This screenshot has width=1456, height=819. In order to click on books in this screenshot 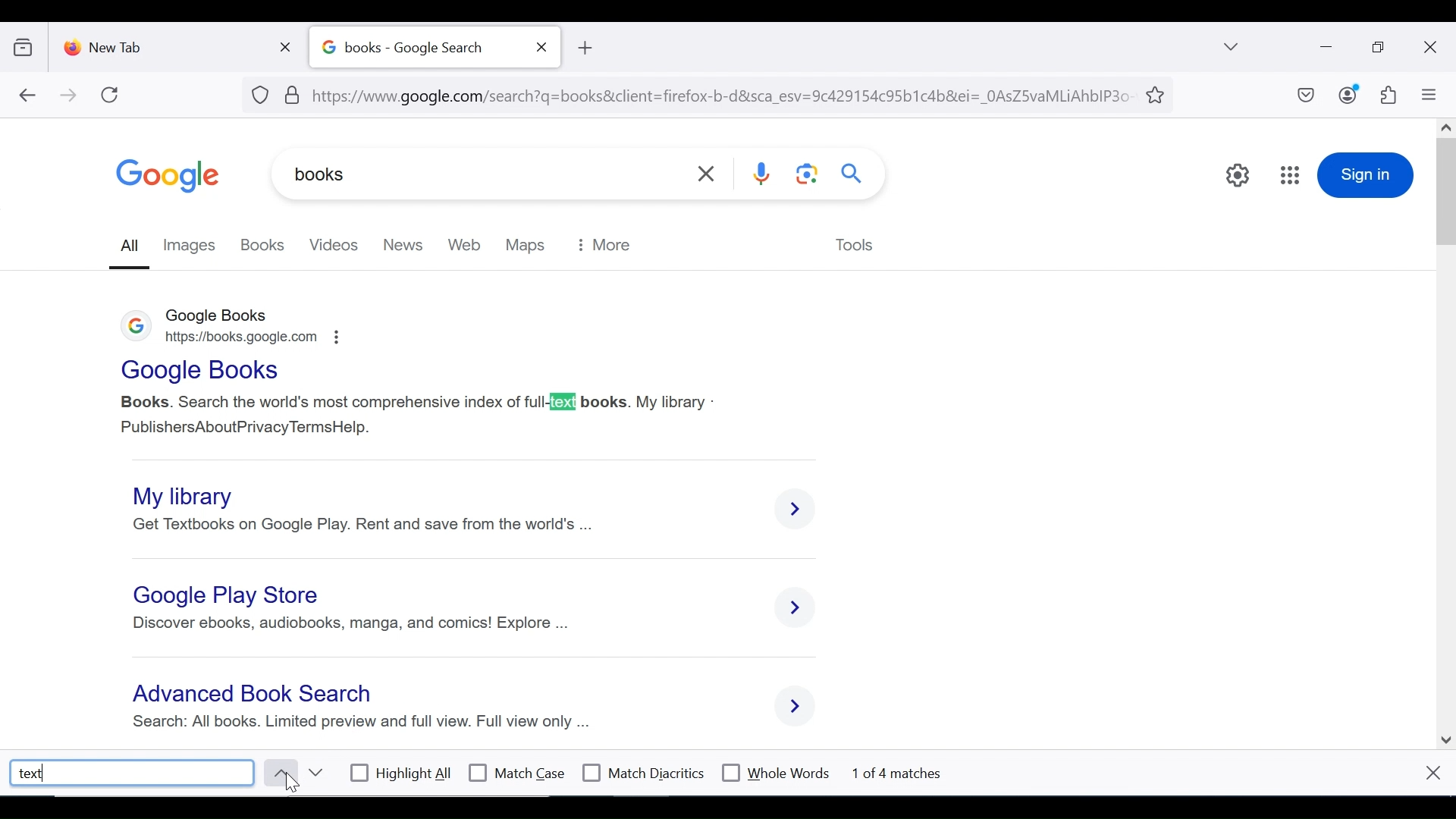, I will do `click(403, 175)`.